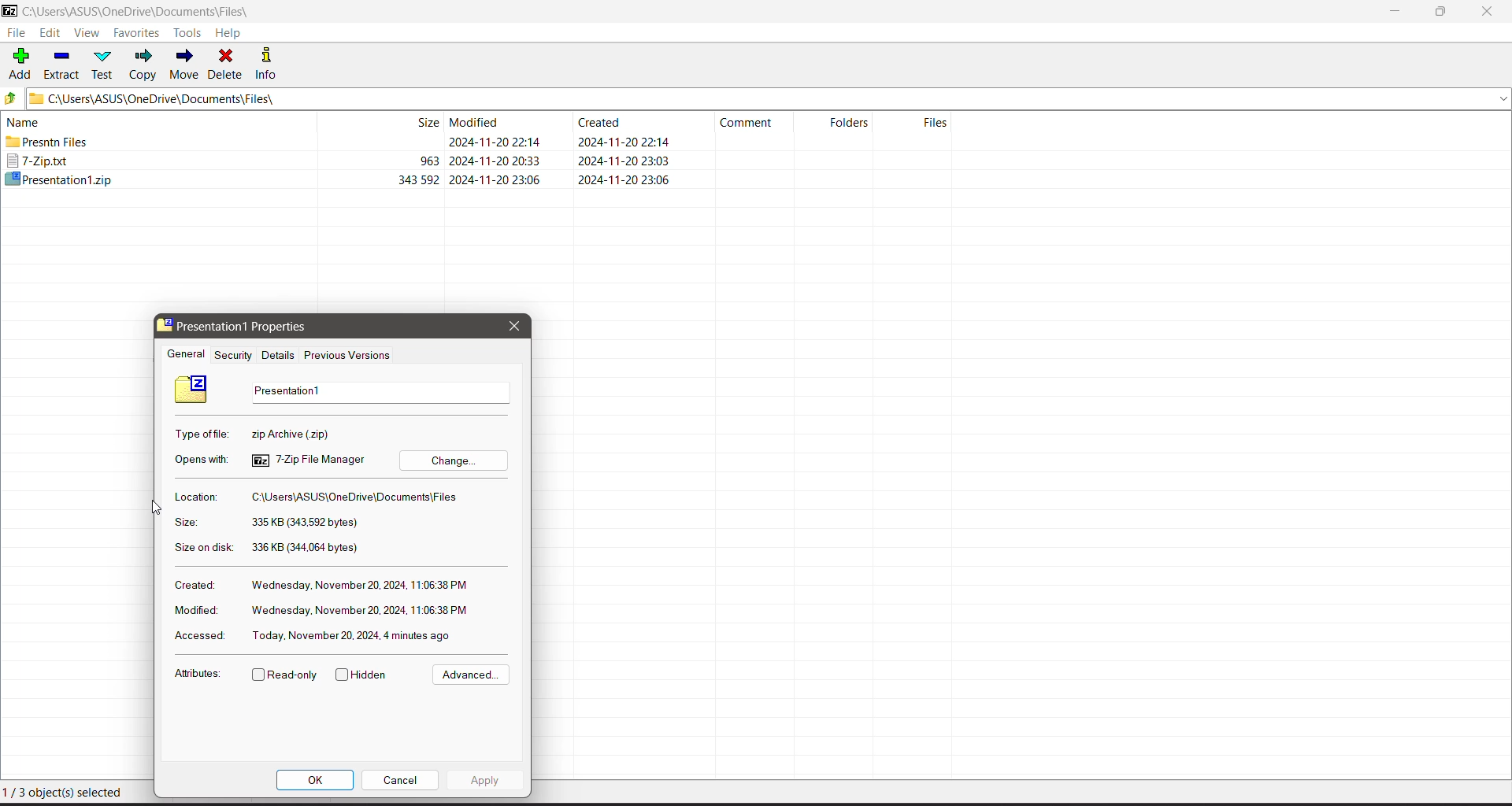  What do you see at coordinates (309, 524) in the screenshot?
I see `Selected file size` at bounding box center [309, 524].